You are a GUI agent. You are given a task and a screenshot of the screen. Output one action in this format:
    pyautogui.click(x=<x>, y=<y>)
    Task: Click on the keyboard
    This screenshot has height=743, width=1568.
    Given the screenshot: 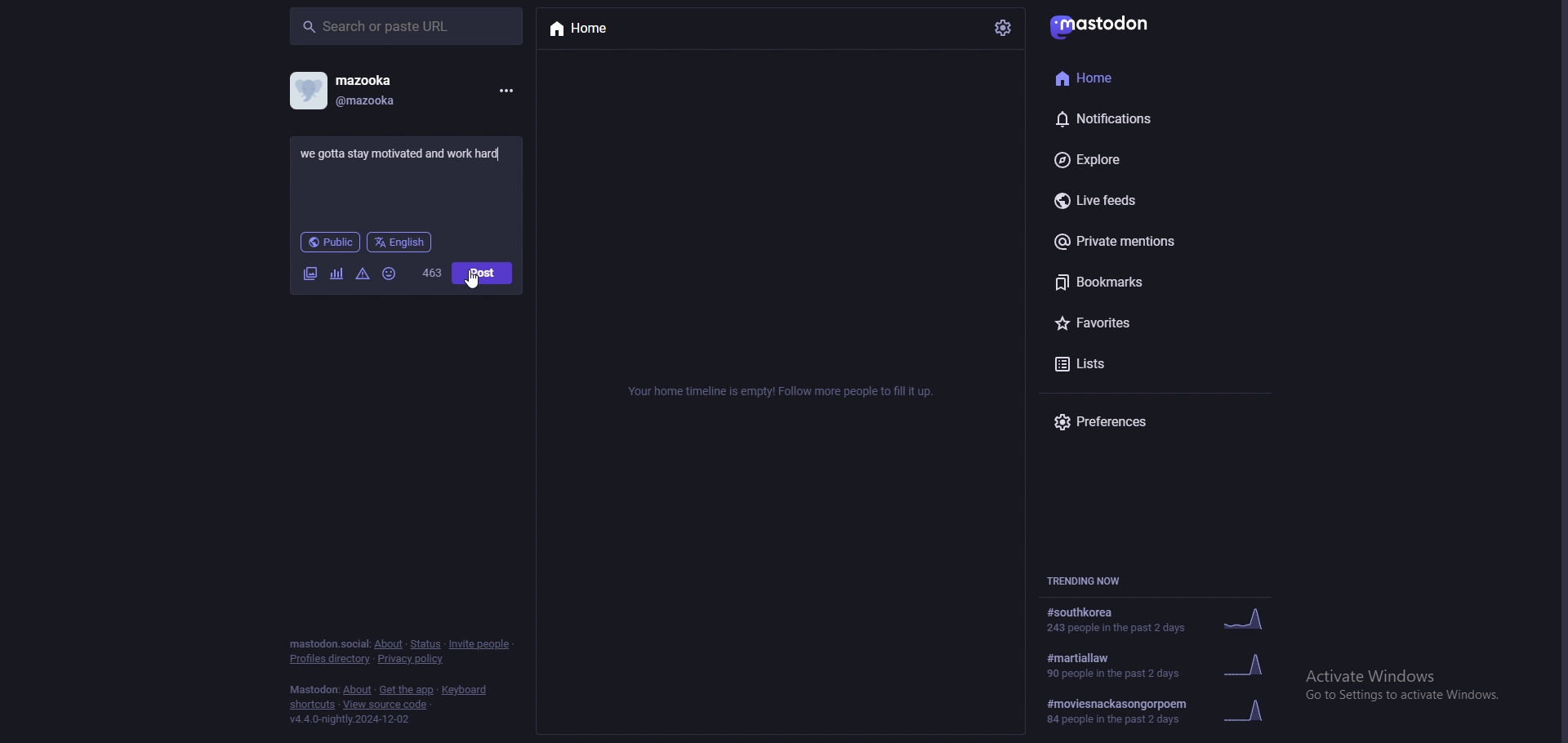 What is the action you would take?
    pyautogui.click(x=463, y=690)
    